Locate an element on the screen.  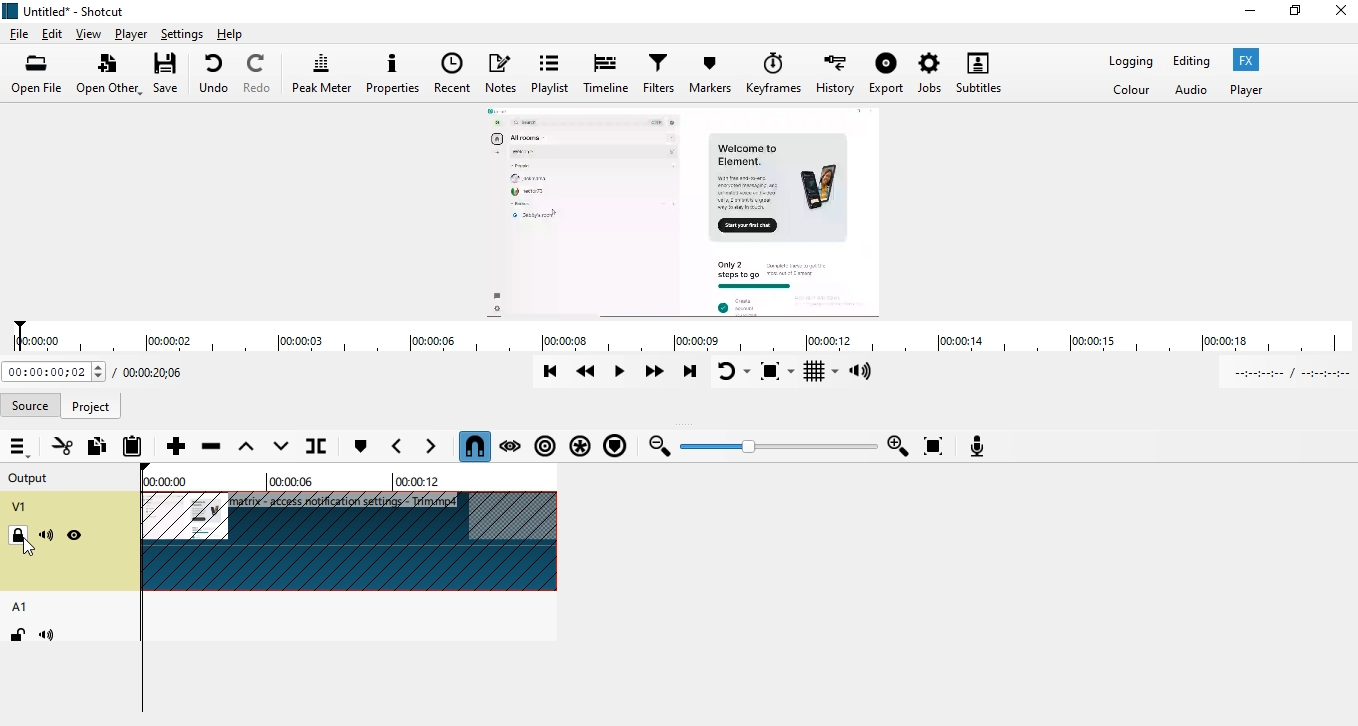
zoom in is located at coordinates (899, 446).